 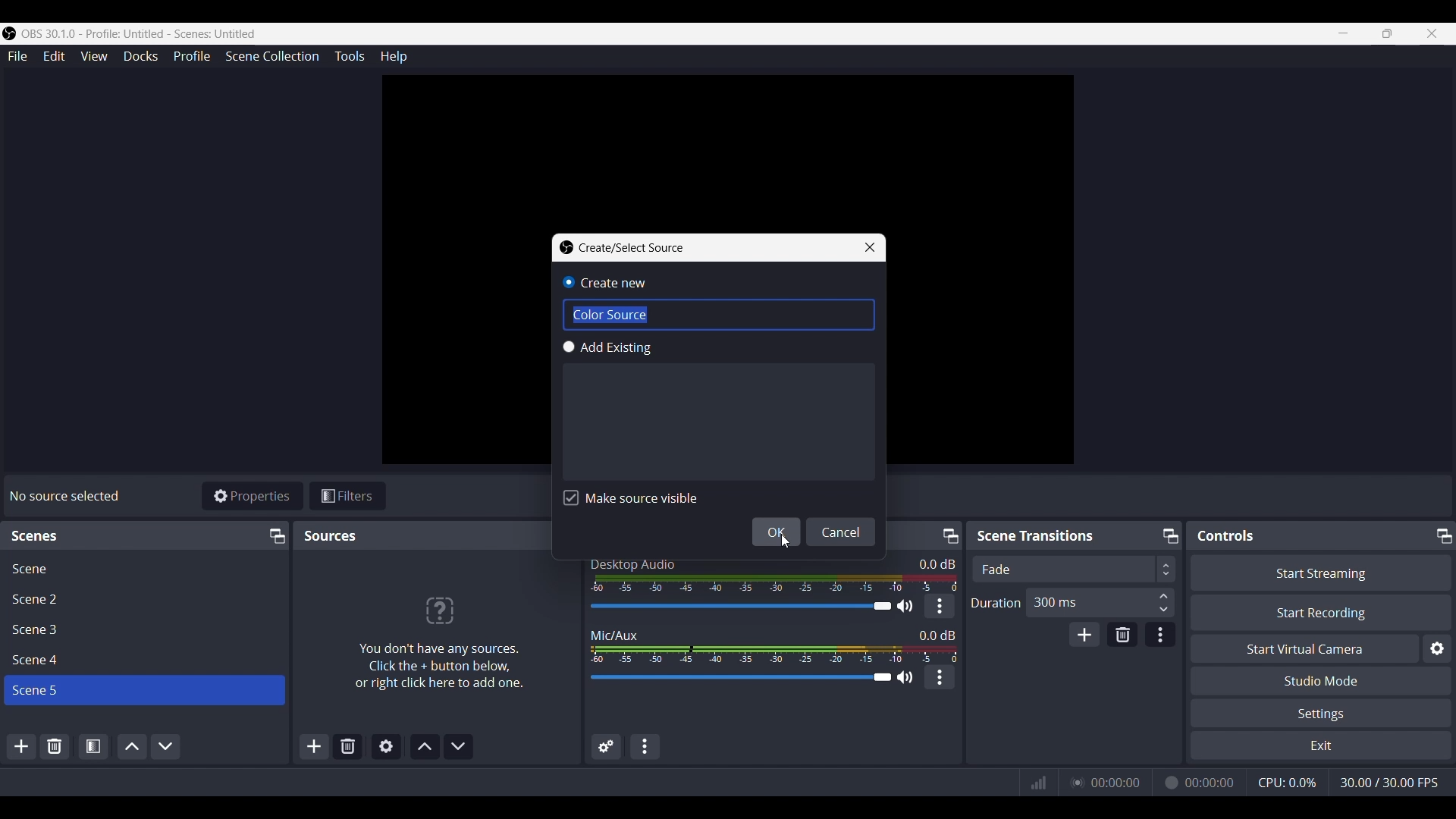 I want to click on Graph, so click(x=1037, y=782).